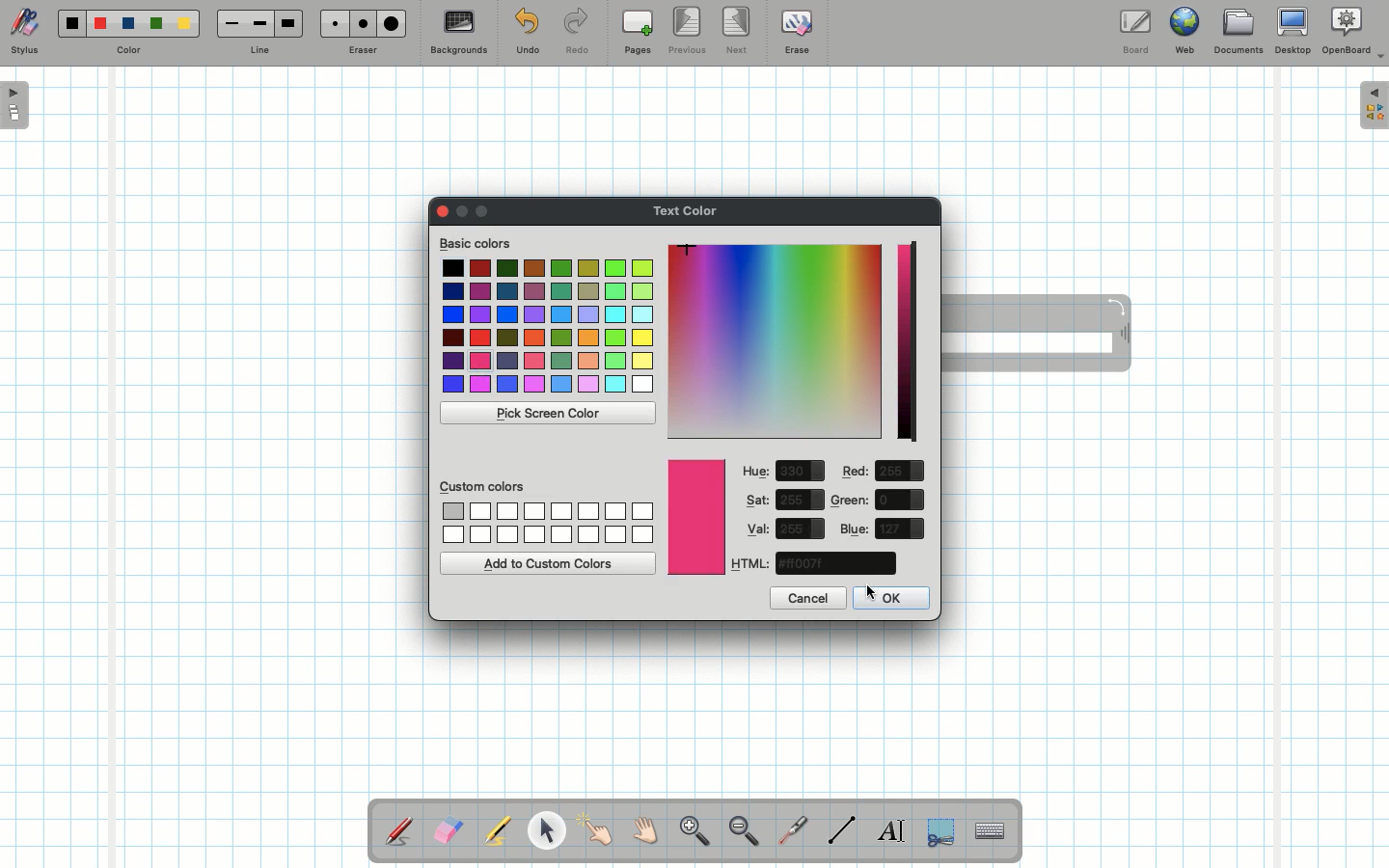 The width and height of the screenshot is (1389, 868). I want to click on Undo, so click(527, 35).